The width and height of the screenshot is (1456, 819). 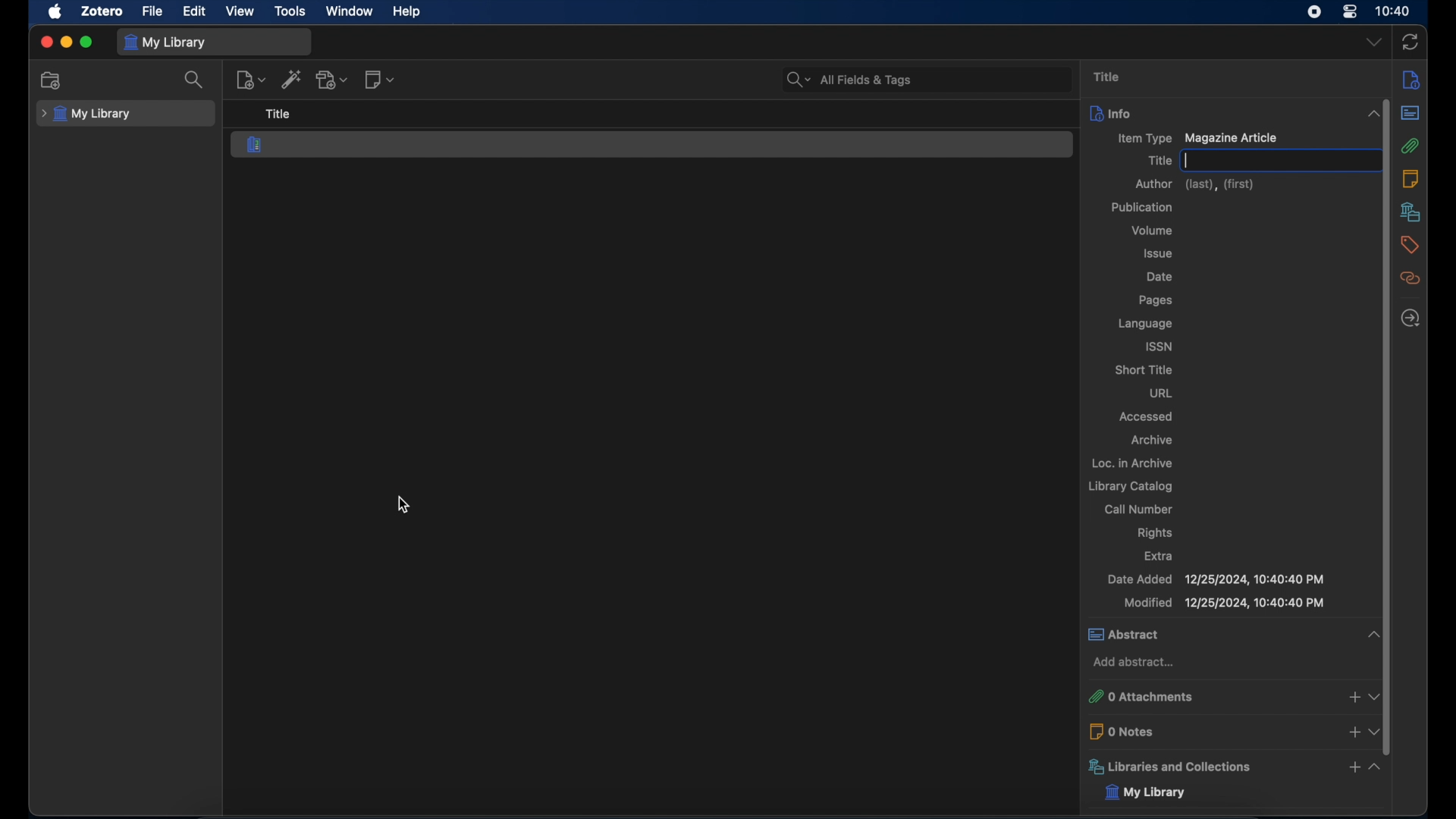 What do you see at coordinates (1161, 394) in the screenshot?
I see `url` at bounding box center [1161, 394].